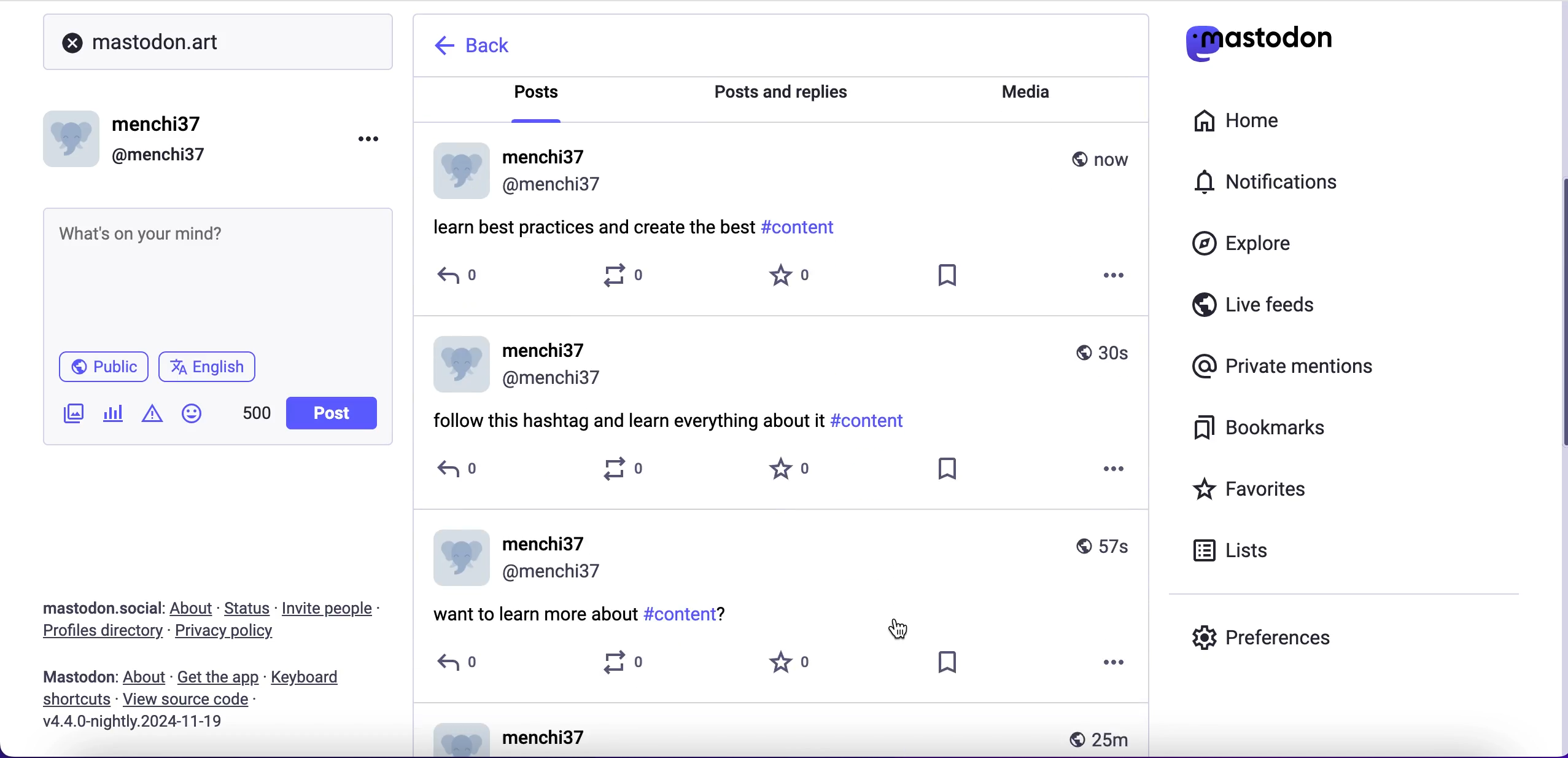 The height and width of the screenshot is (758, 1568). Describe the element at coordinates (459, 170) in the screenshot. I see `display picture` at that location.